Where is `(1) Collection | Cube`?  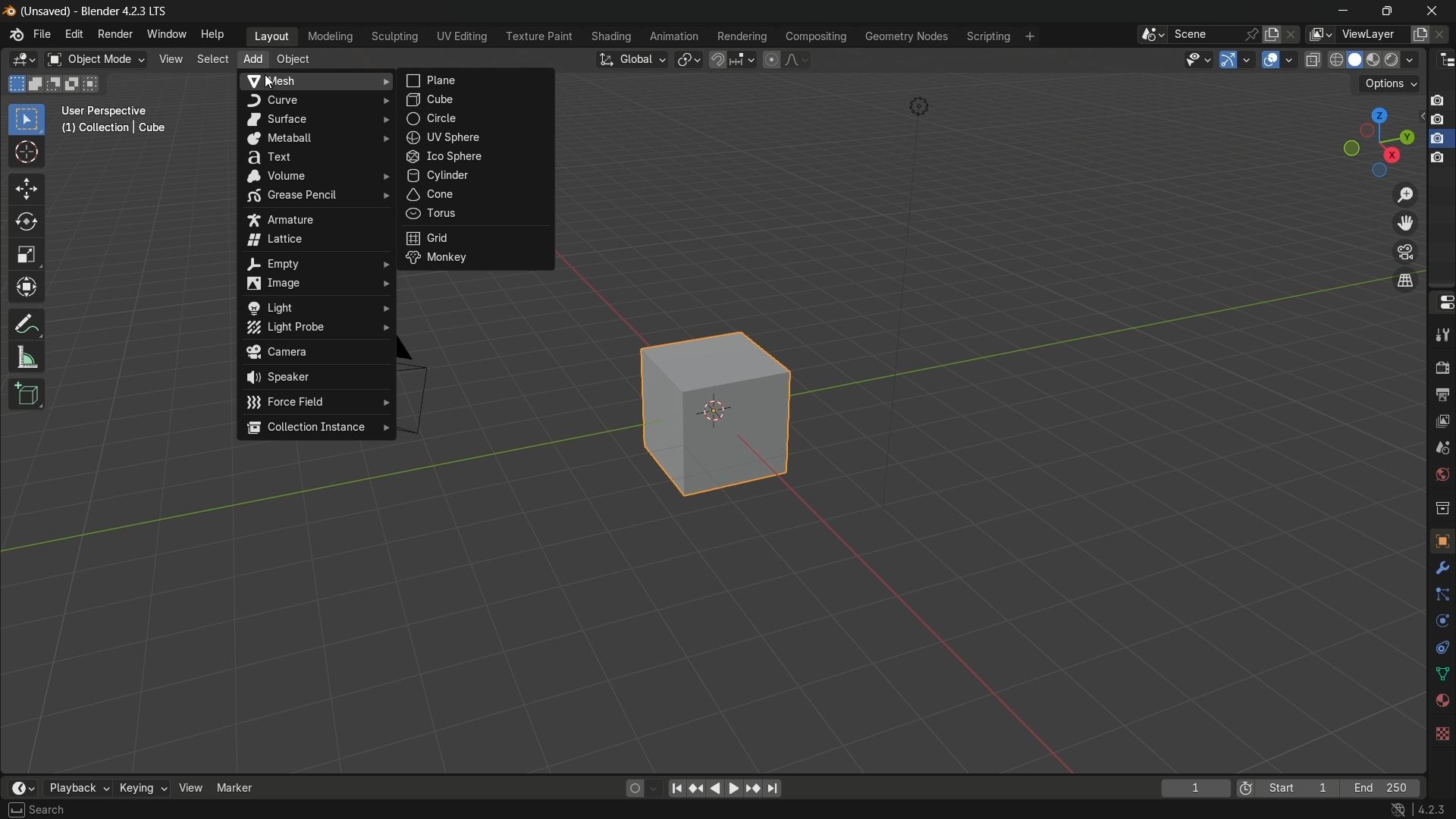 (1) Collection | Cube is located at coordinates (113, 129).